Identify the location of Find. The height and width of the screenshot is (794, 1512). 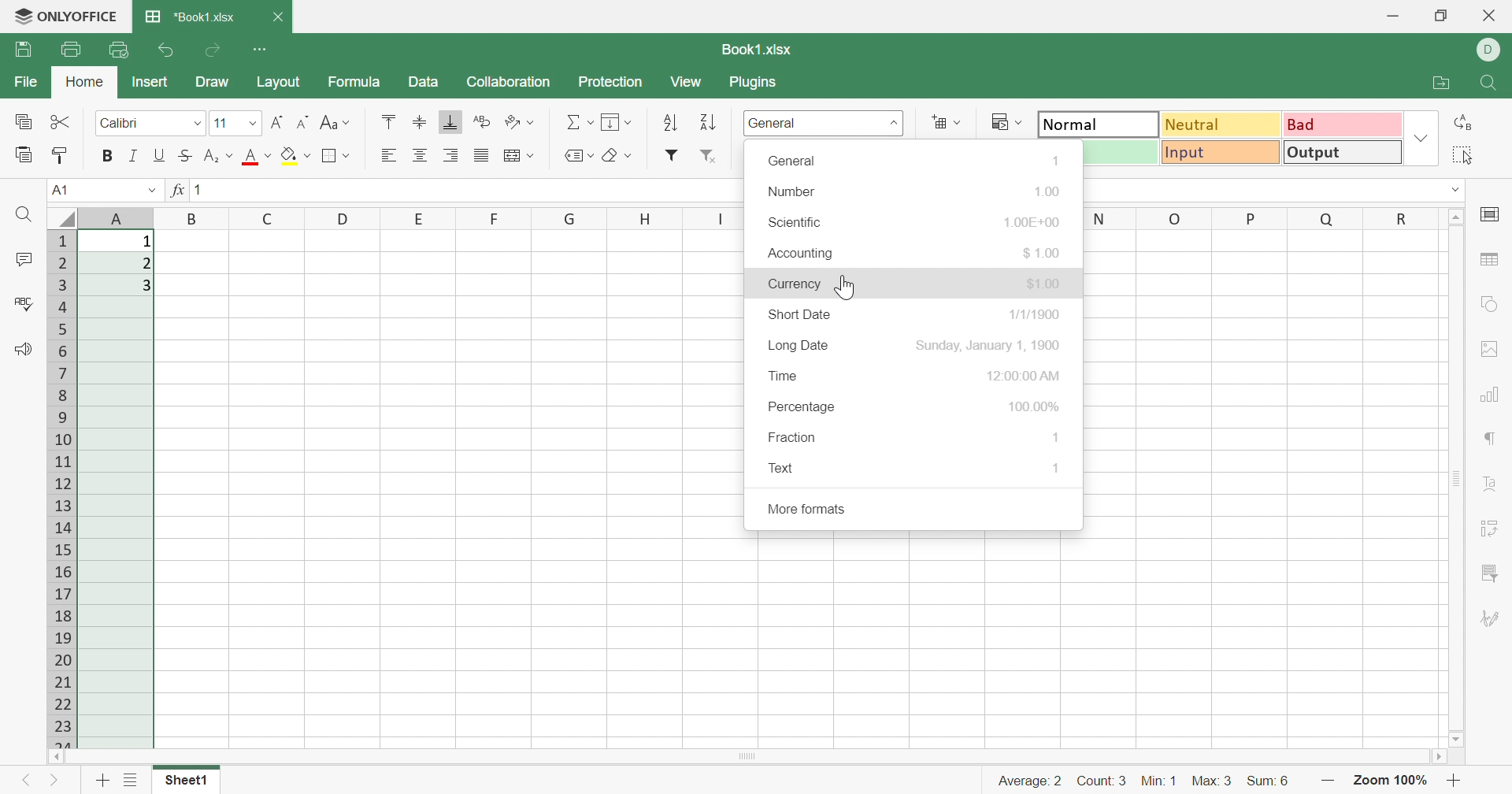
(24, 214).